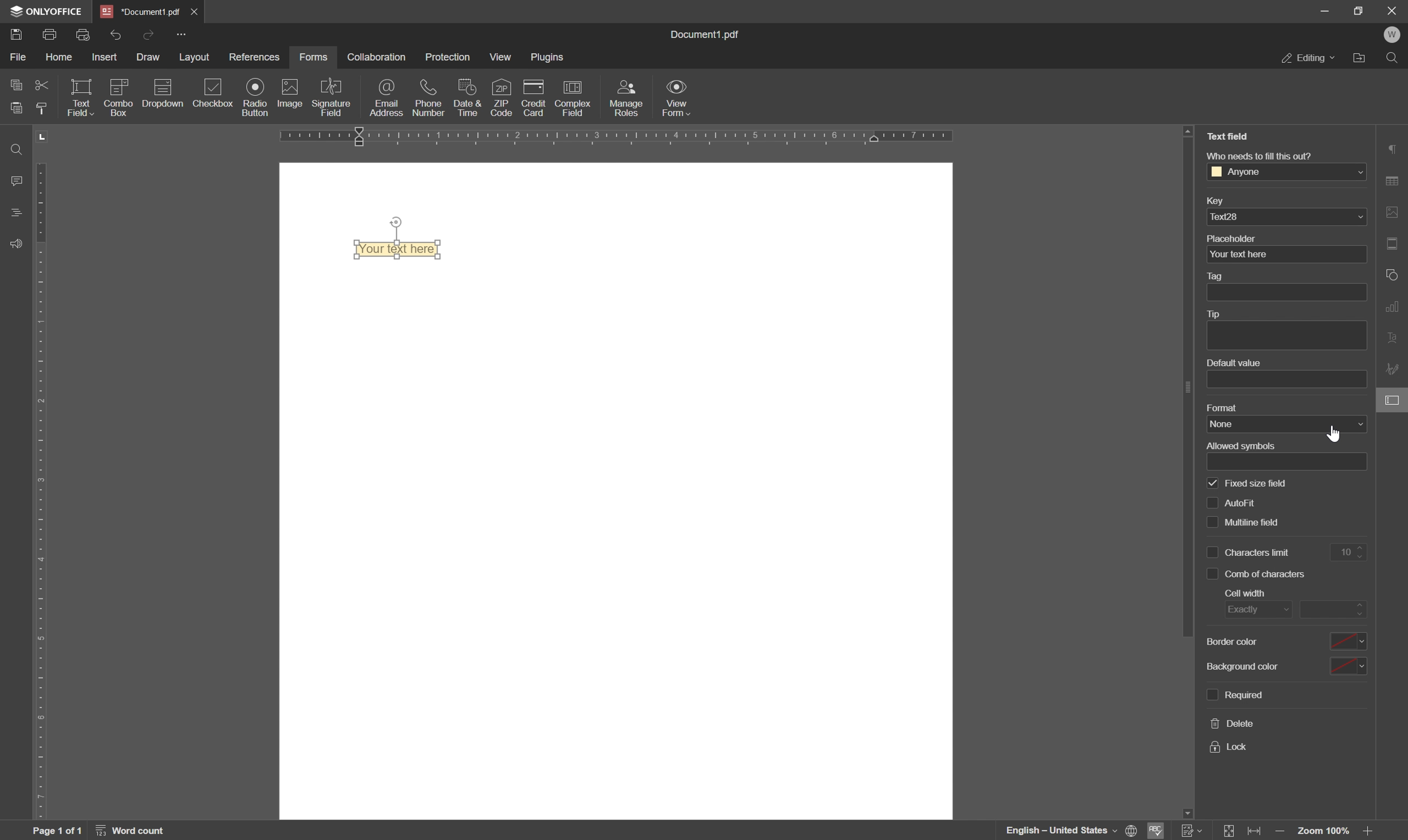  Describe the element at coordinates (1394, 181) in the screenshot. I see `table settings` at that location.